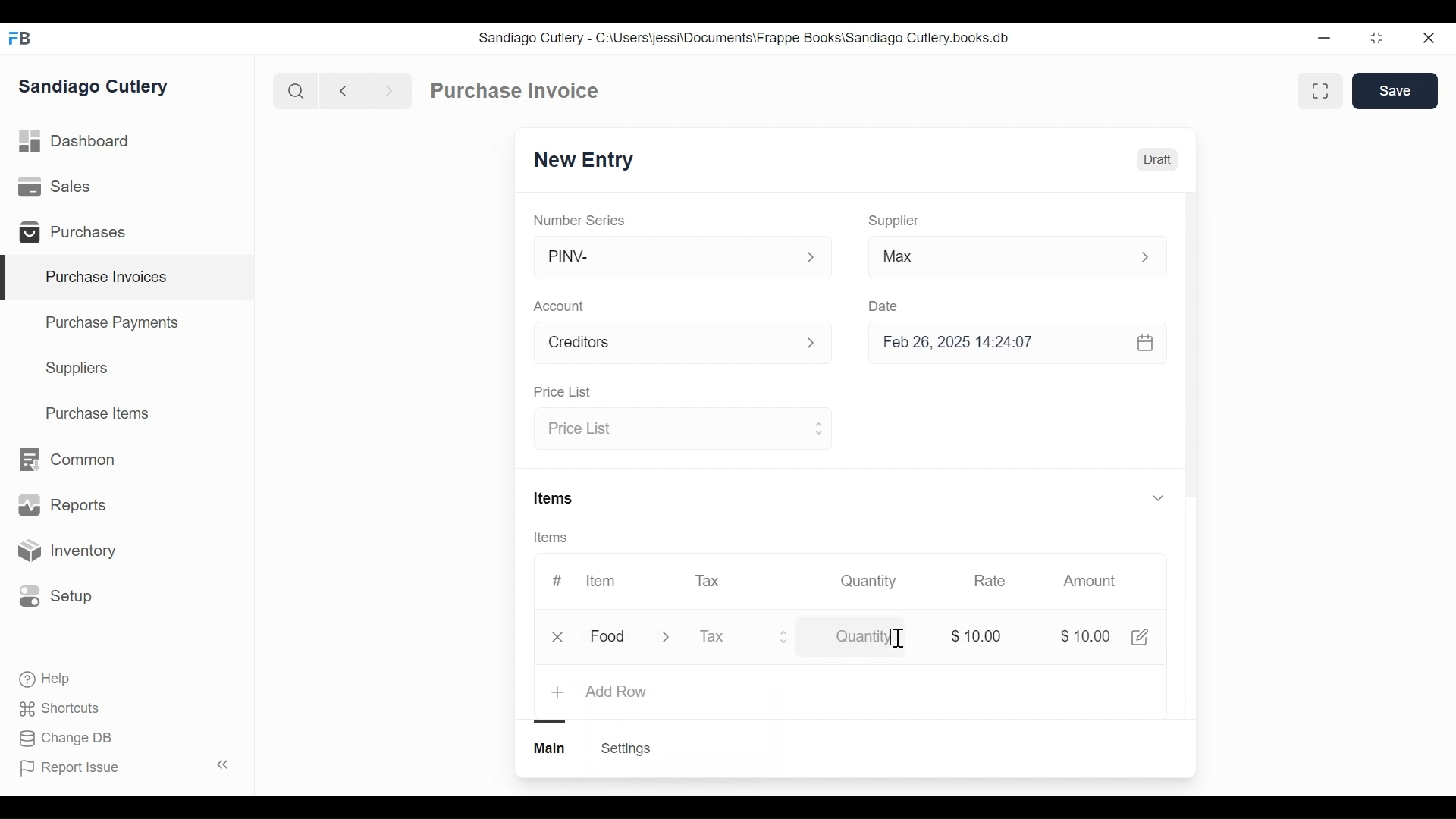 The width and height of the screenshot is (1456, 819). I want to click on Setup, so click(56, 595).